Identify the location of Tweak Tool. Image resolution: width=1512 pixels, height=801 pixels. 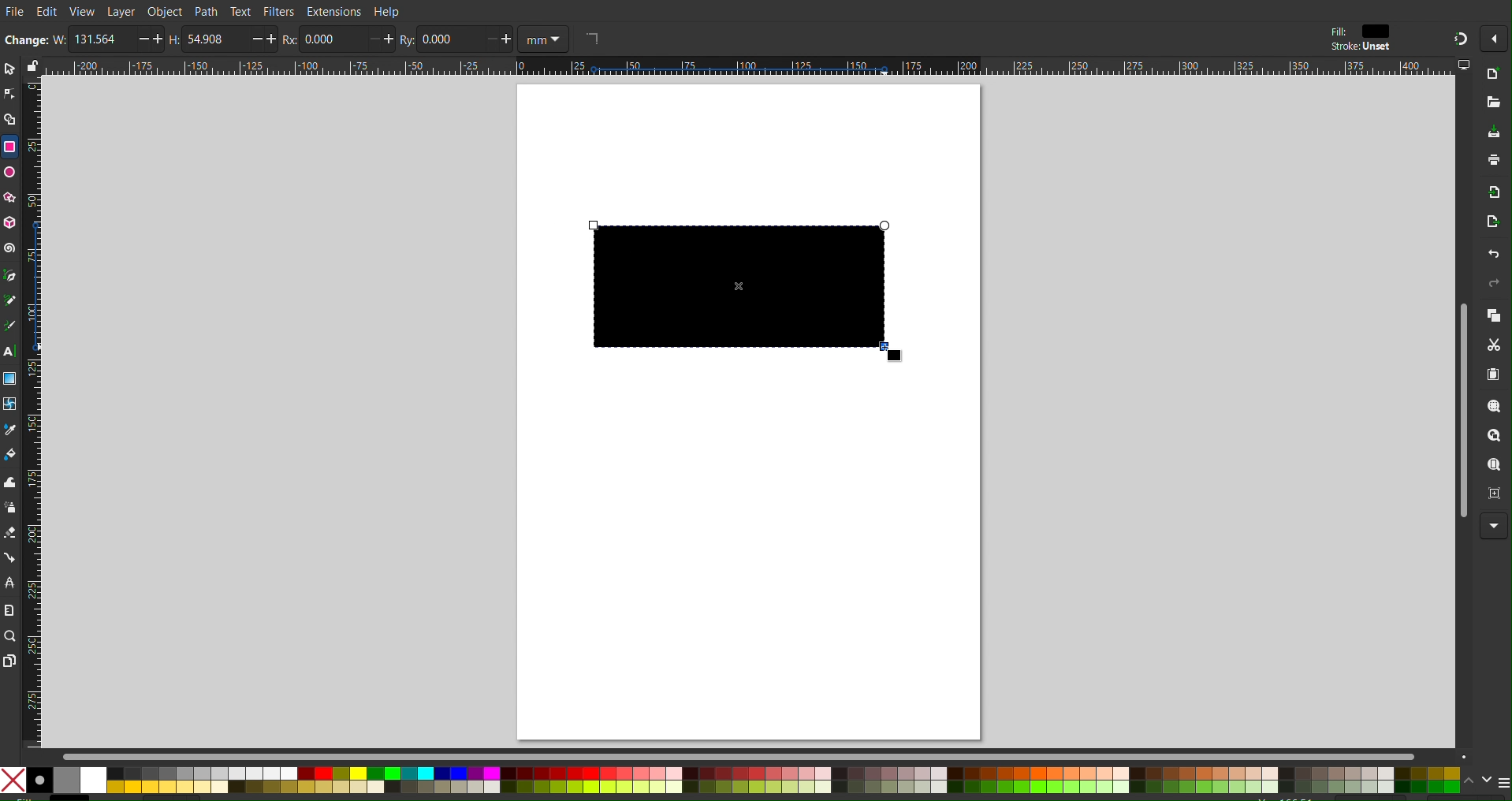
(9, 485).